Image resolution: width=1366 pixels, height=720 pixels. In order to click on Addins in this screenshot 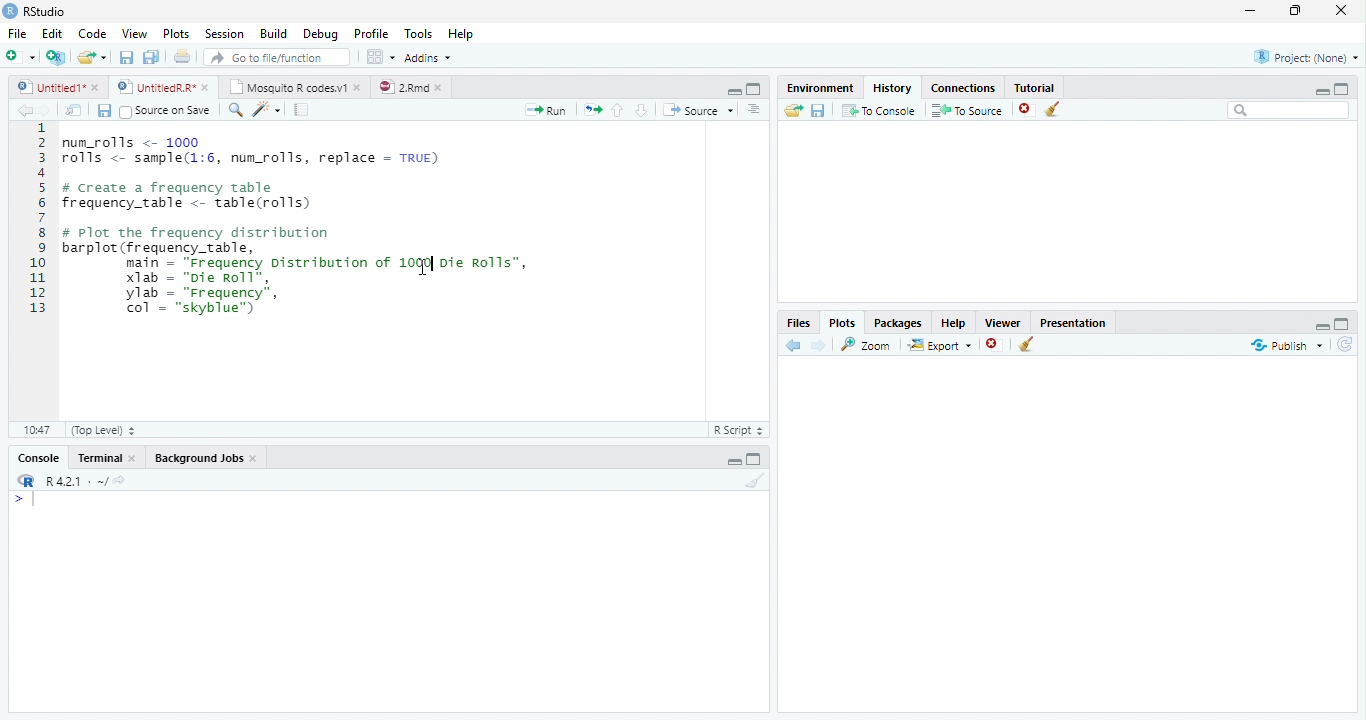, I will do `click(431, 56)`.